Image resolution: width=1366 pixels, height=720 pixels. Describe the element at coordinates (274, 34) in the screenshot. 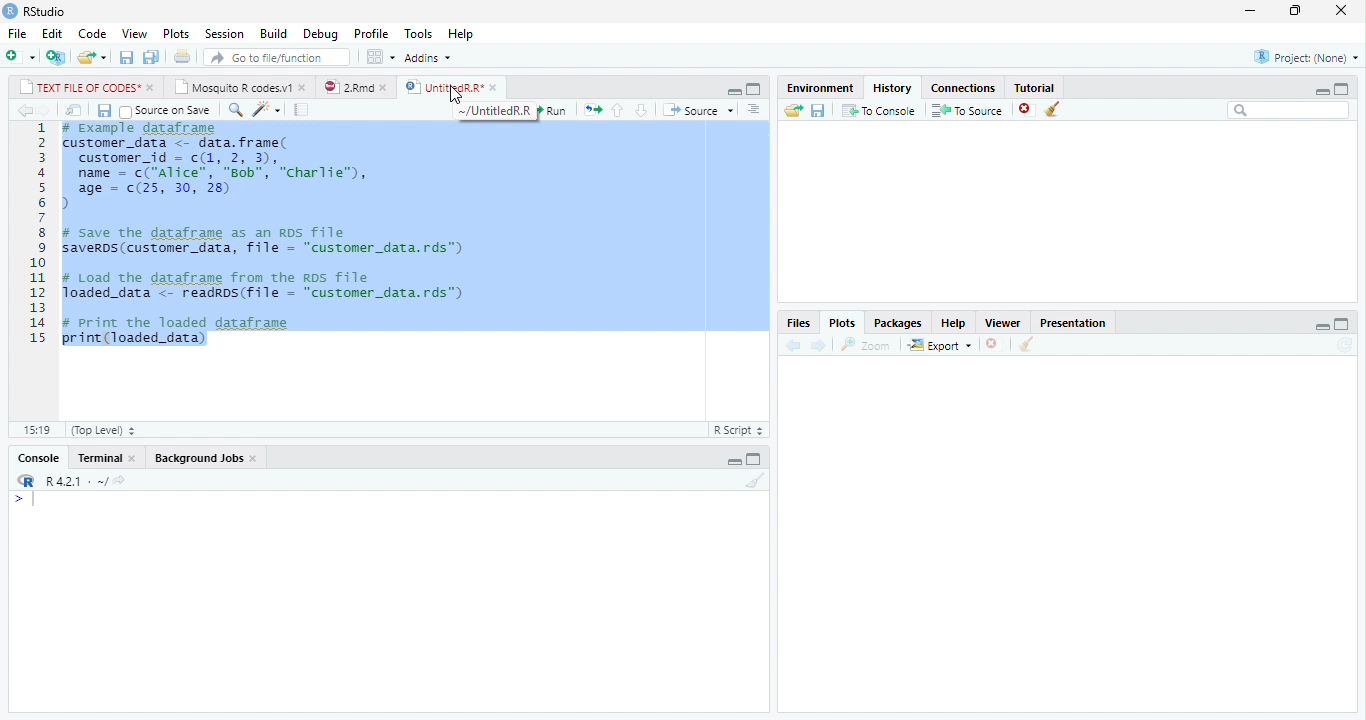

I see `Build` at that location.